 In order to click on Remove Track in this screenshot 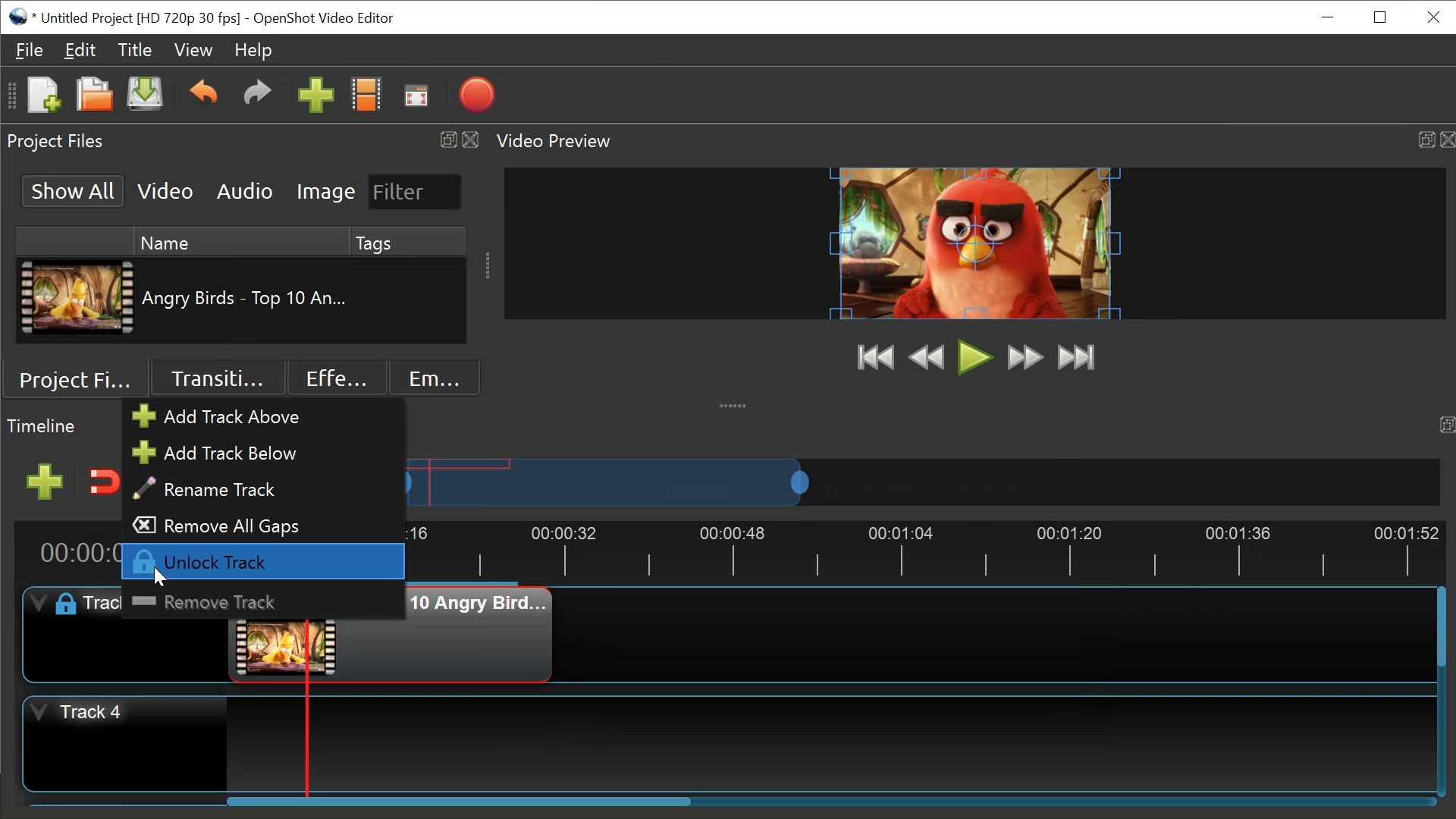, I will do `click(217, 601)`.